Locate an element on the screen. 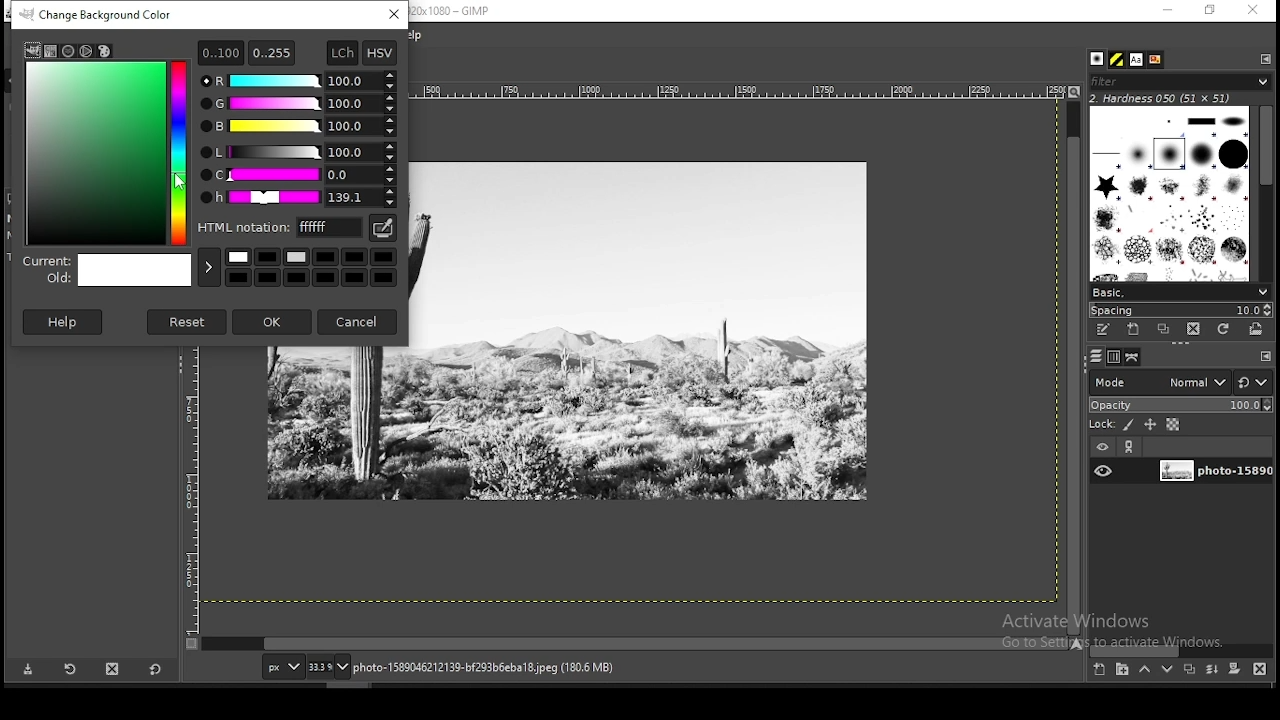 The width and height of the screenshot is (1280, 720). delete tool preset is located at coordinates (112, 669).